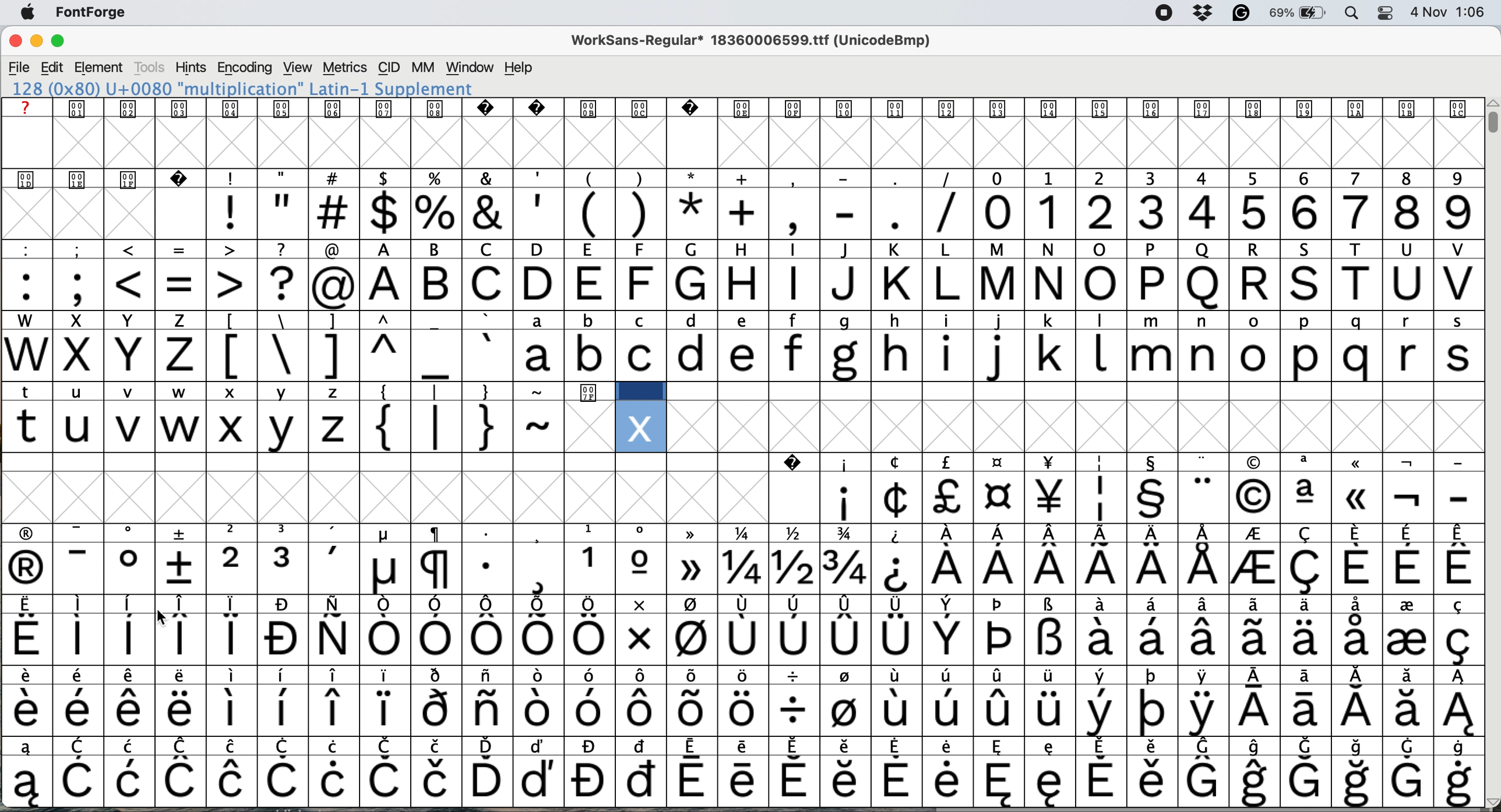  I want to click on date and time, so click(1449, 12).